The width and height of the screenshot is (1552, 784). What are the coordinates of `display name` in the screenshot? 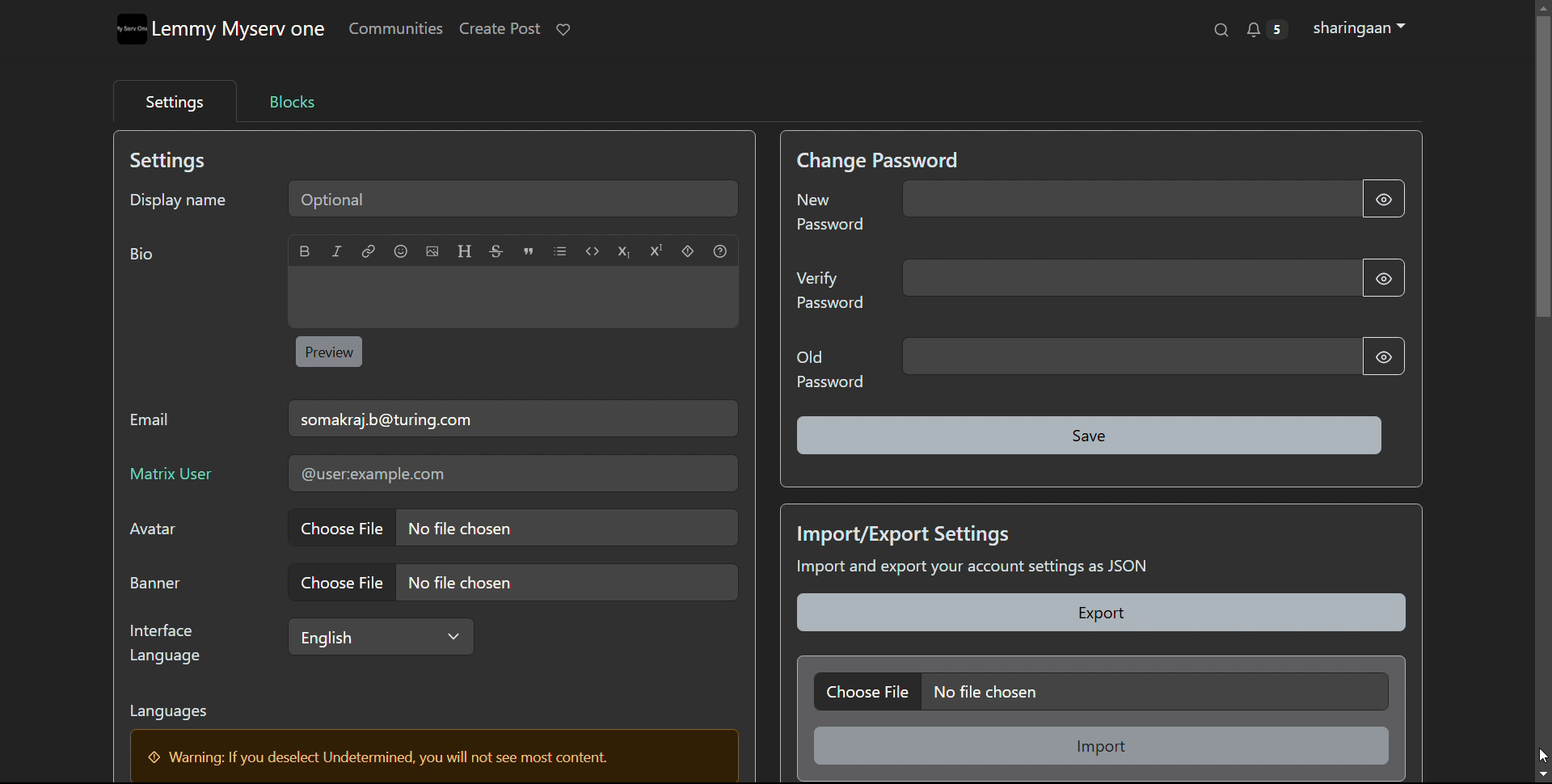 It's located at (514, 198).